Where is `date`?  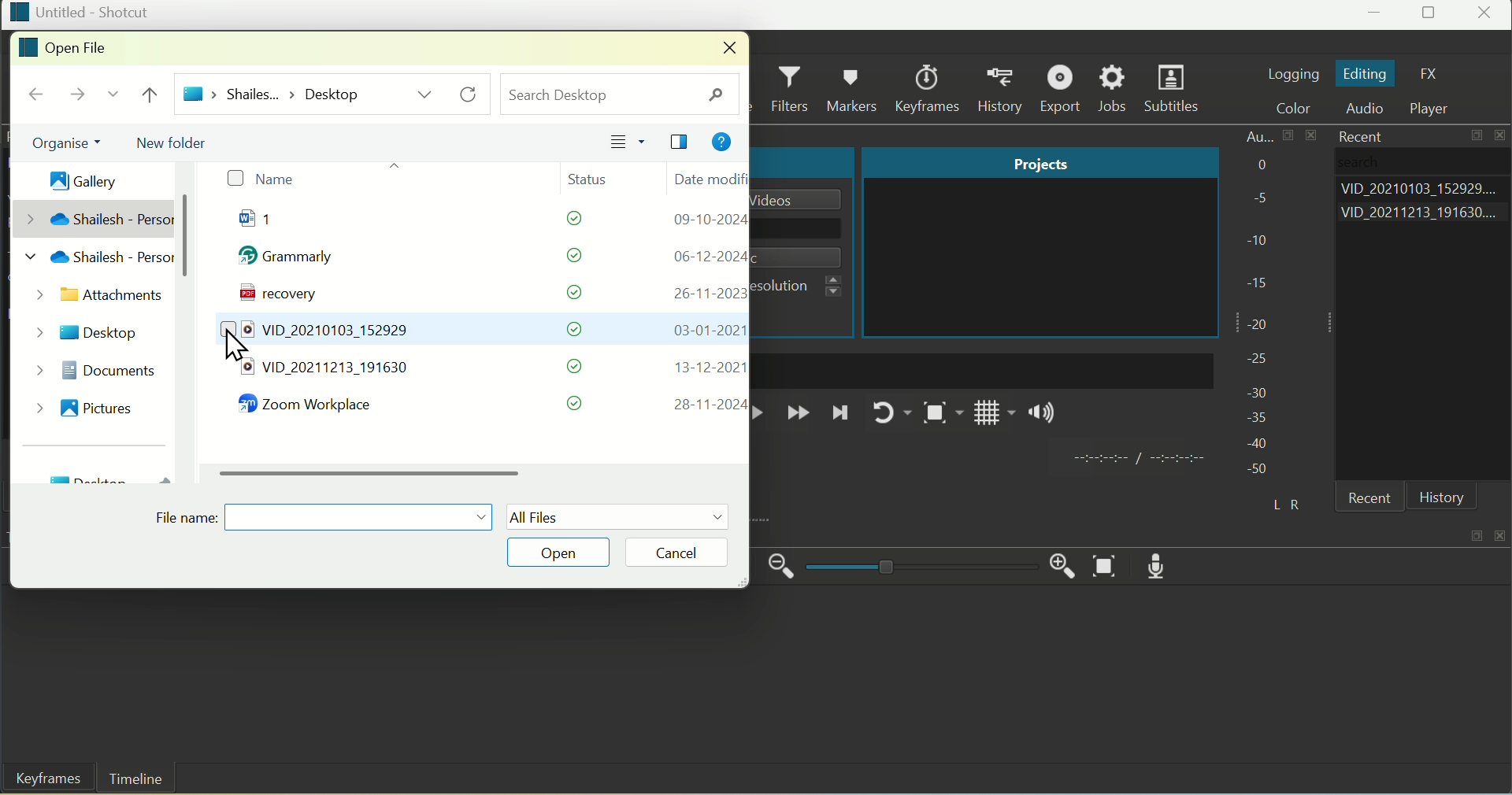
date is located at coordinates (707, 405).